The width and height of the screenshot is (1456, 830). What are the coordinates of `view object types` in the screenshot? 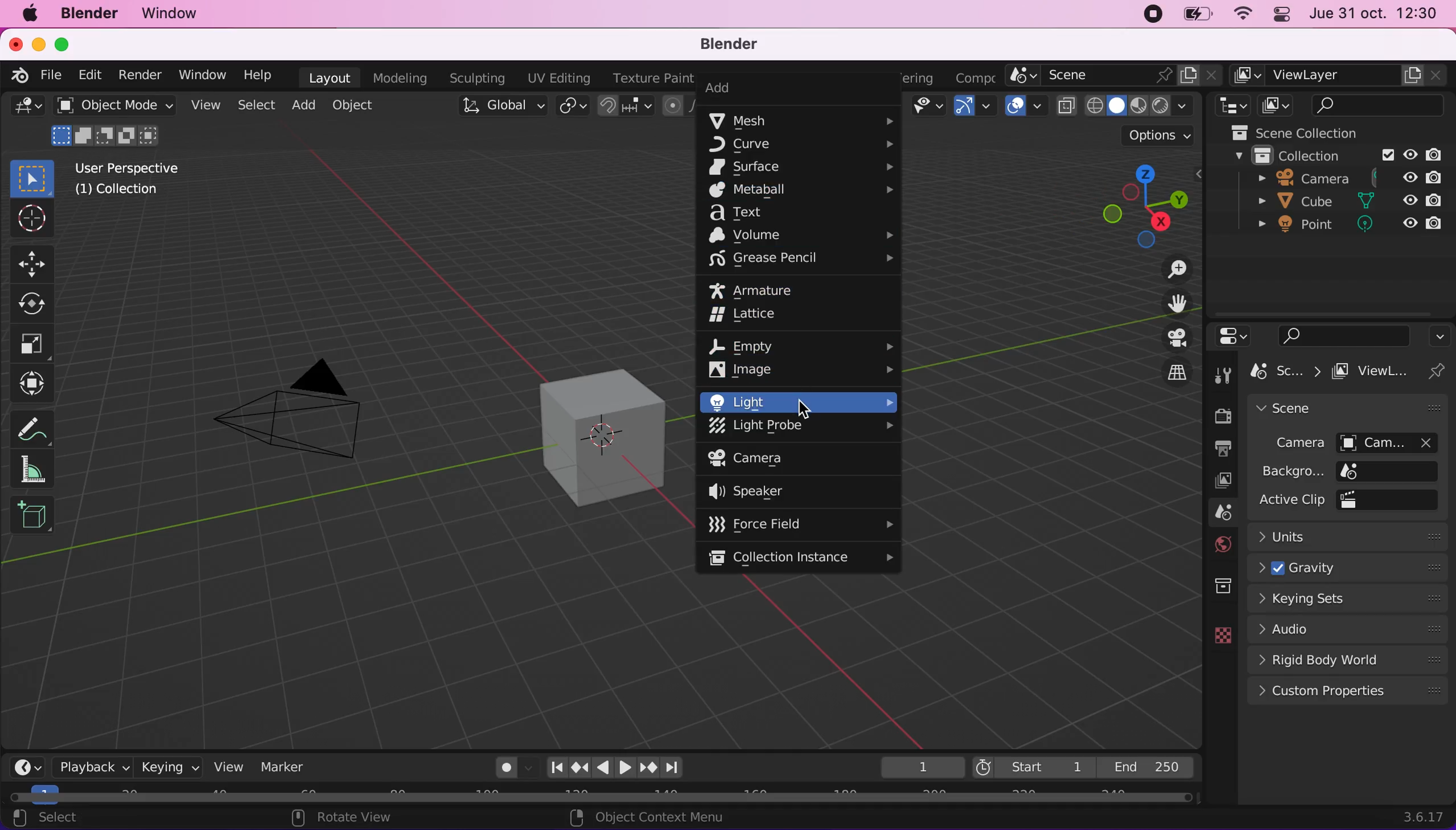 It's located at (930, 109).